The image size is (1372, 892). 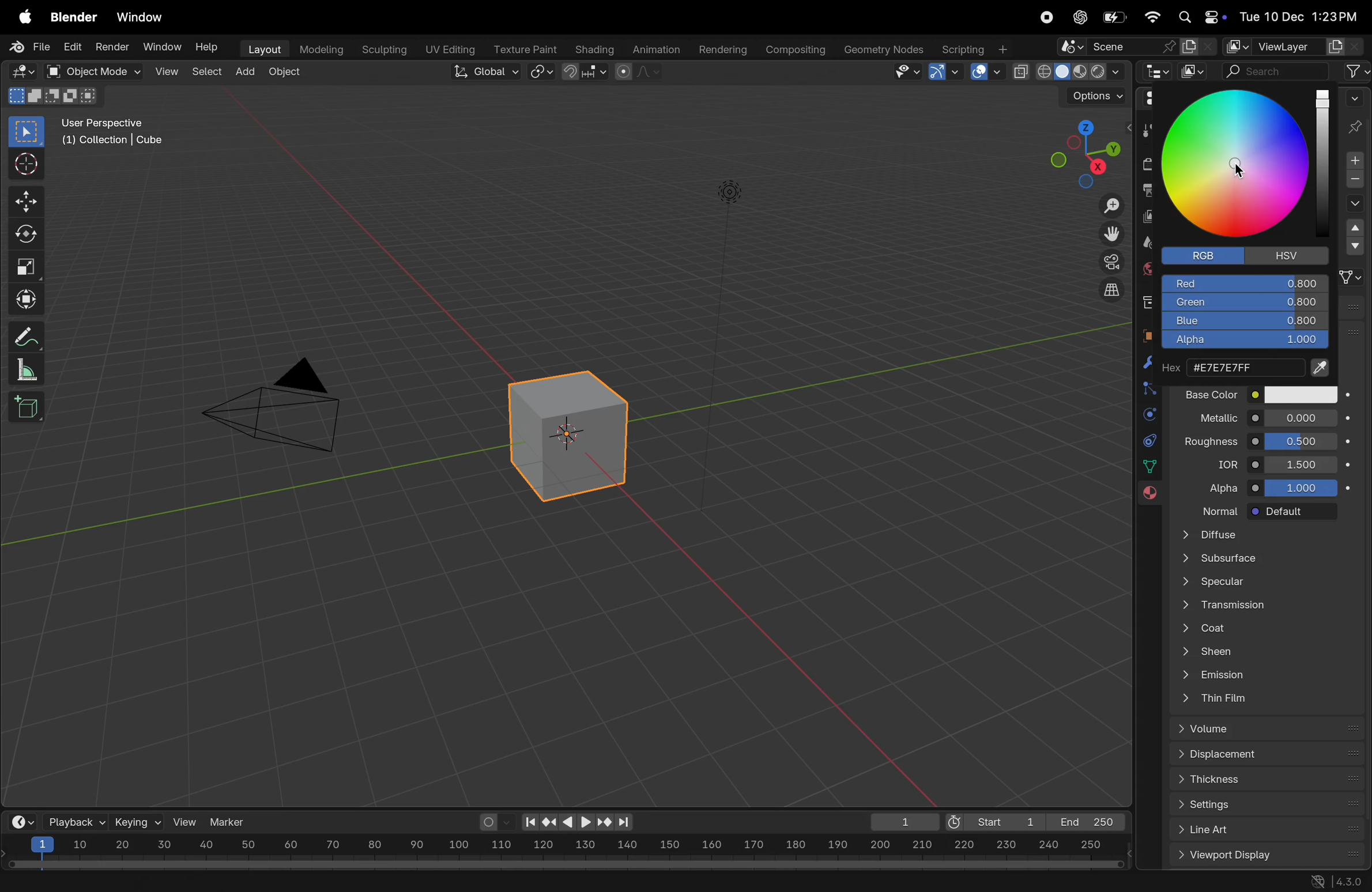 I want to click on cursor, so click(x=1244, y=169).